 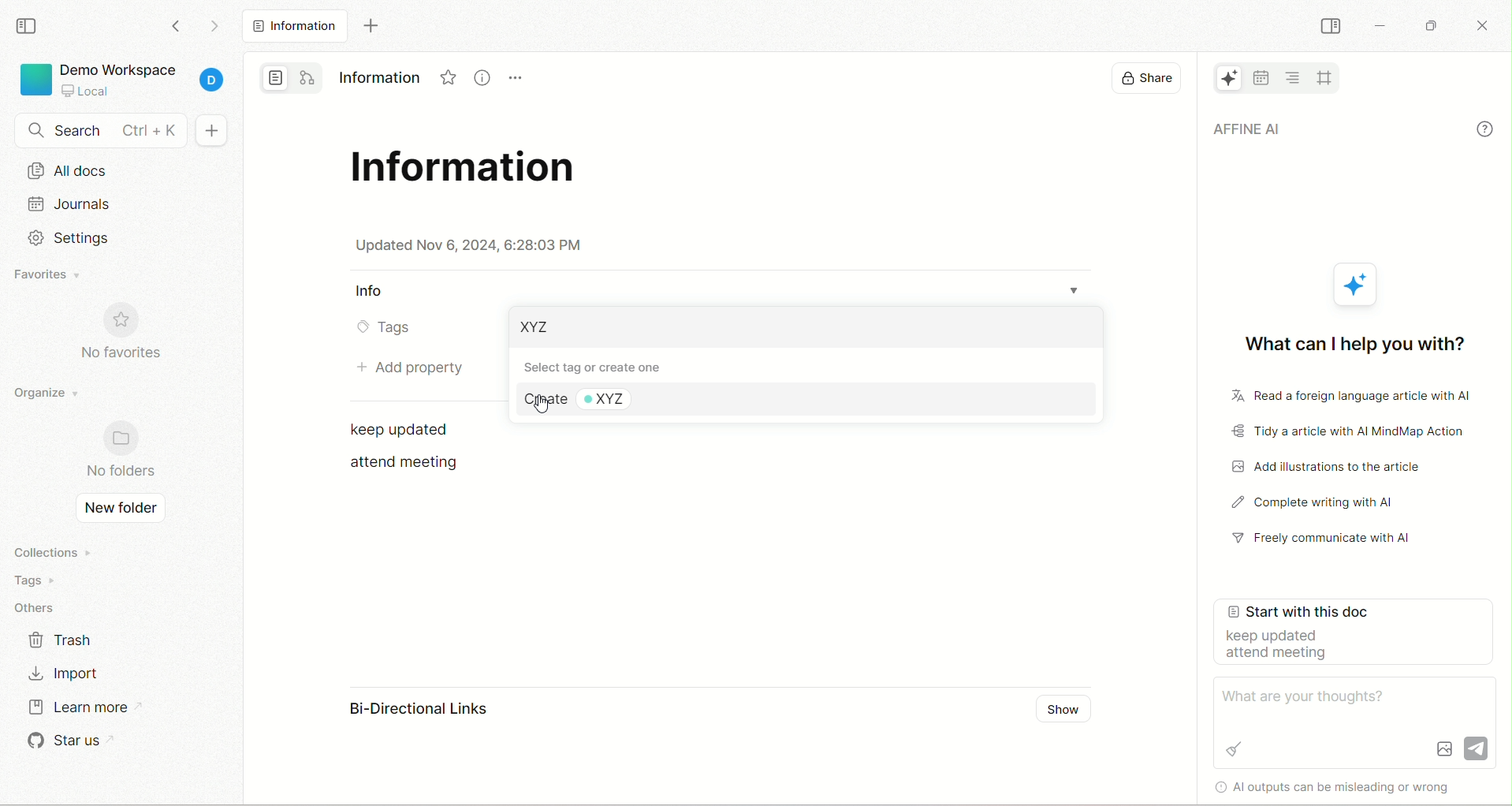 I want to click on text, so click(x=408, y=429).